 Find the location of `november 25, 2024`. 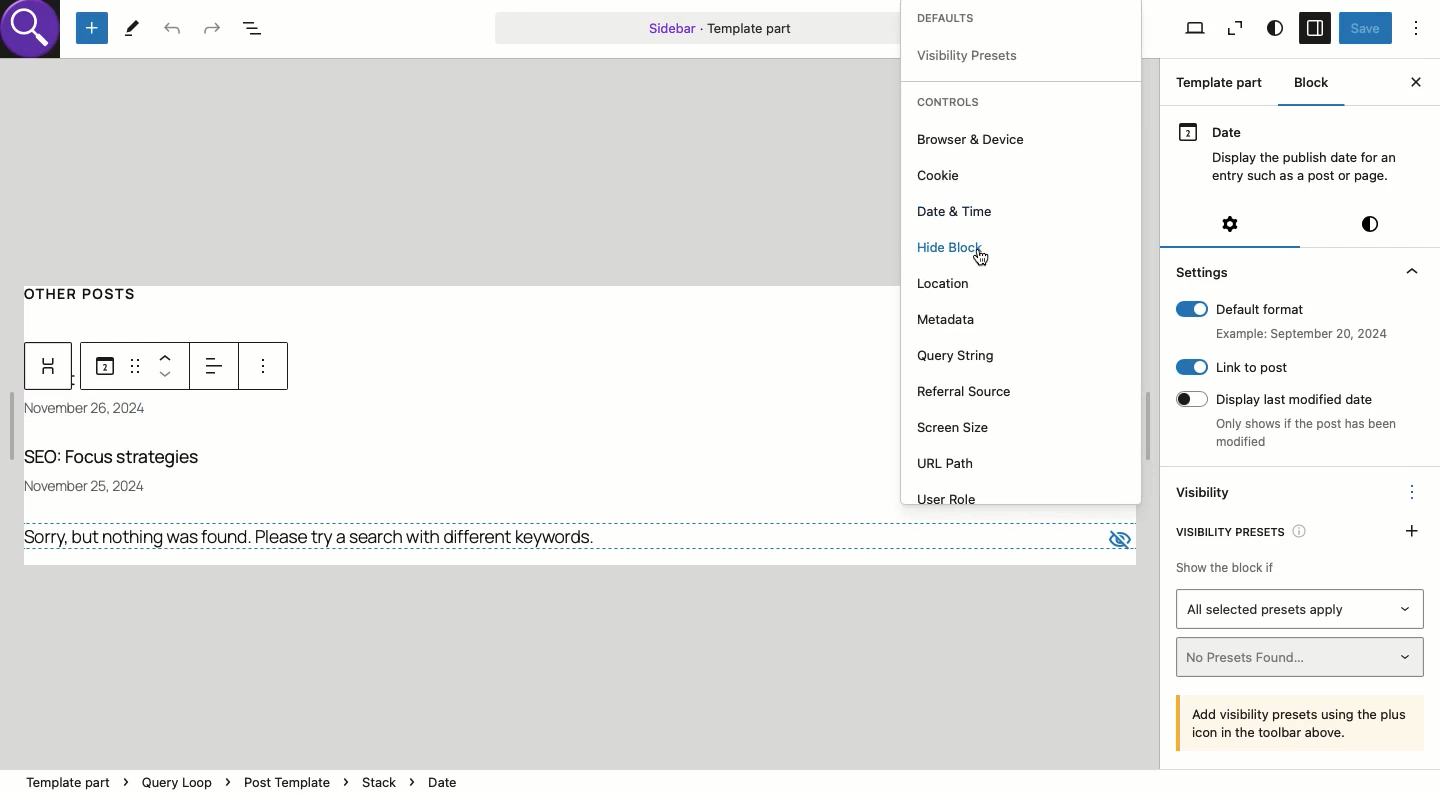

november 25, 2024 is located at coordinates (95, 483).